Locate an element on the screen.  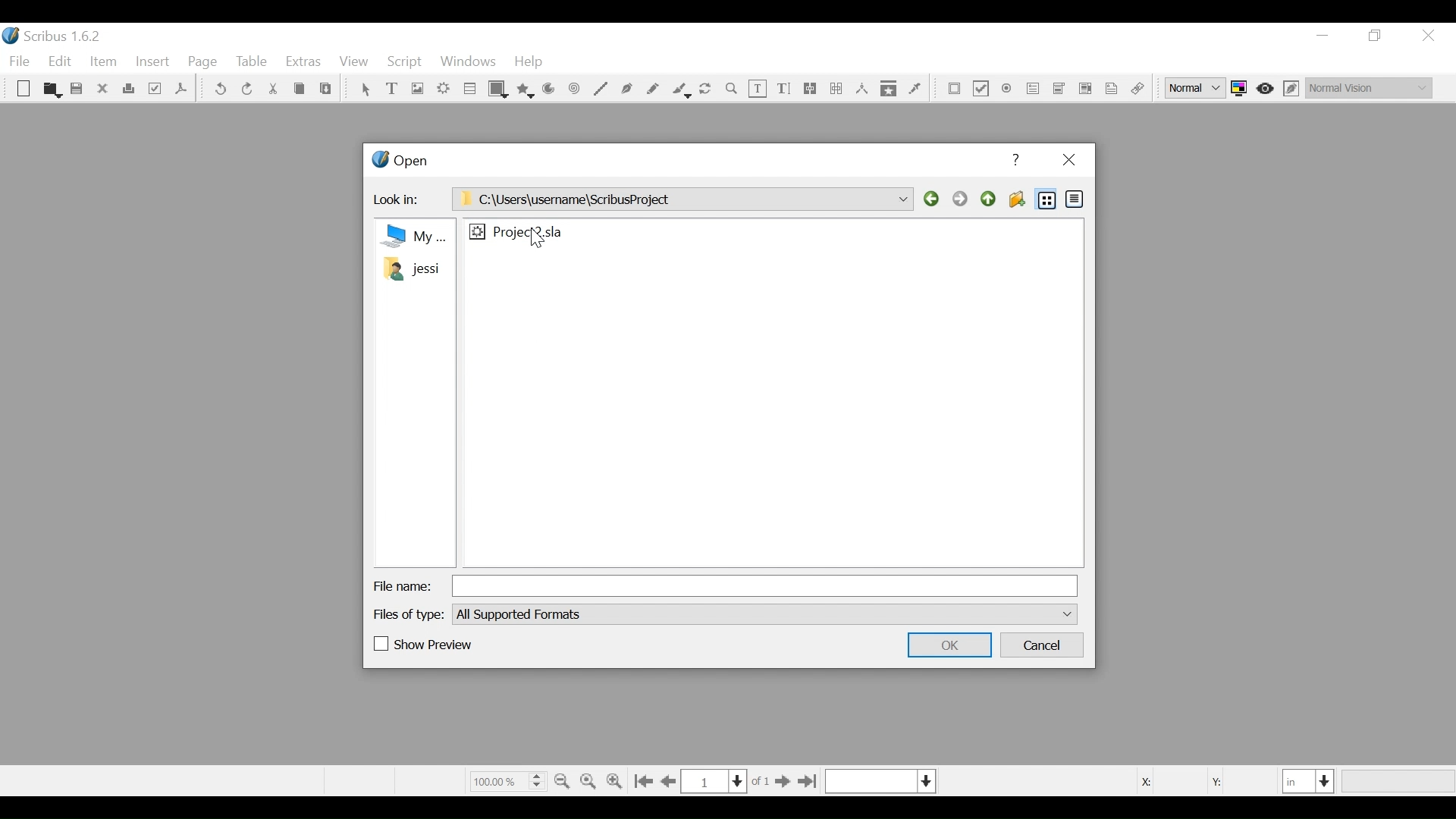
New is located at coordinates (24, 90).